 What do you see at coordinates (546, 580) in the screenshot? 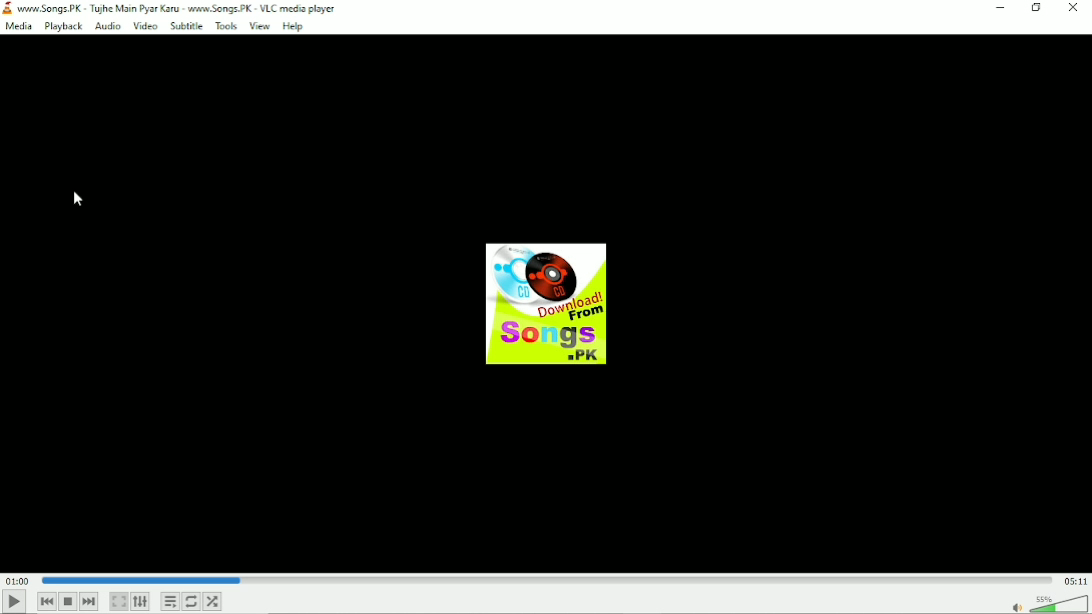
I see `Play duration` at bounding box center [546, 580].